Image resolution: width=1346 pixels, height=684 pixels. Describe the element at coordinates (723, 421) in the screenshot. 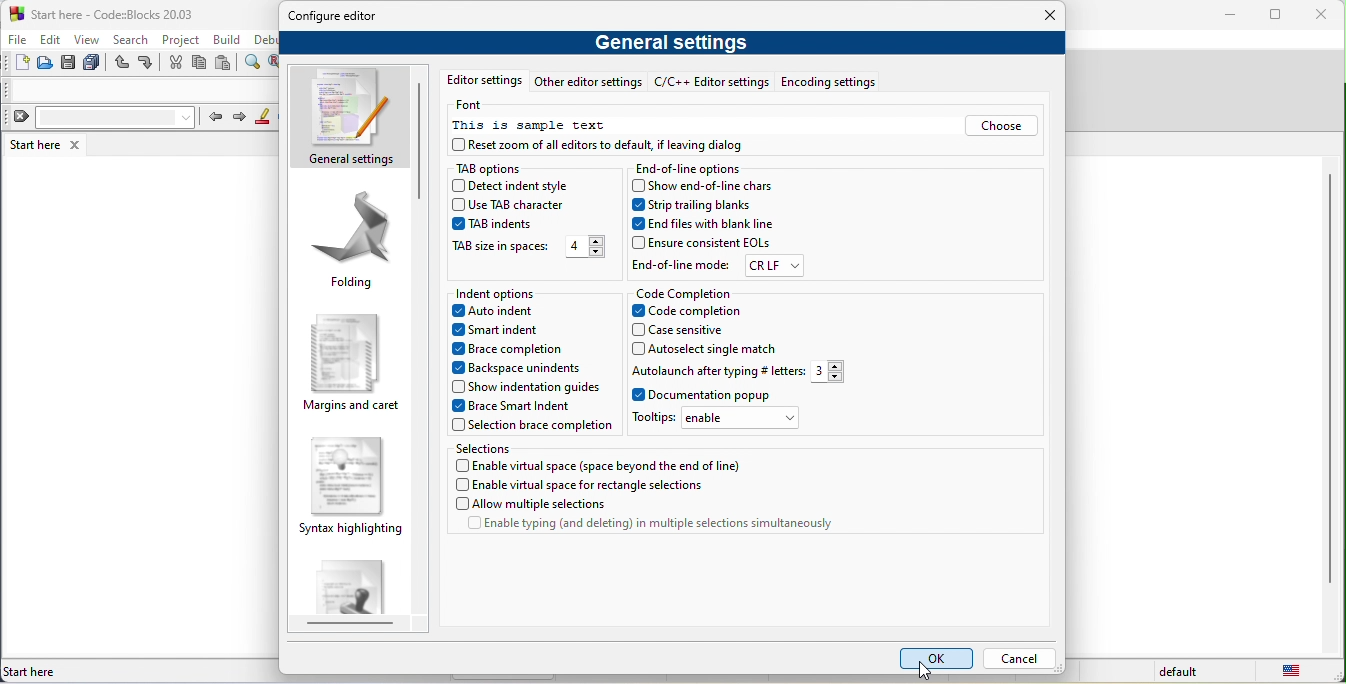

I see `tooltips enable` at that location.